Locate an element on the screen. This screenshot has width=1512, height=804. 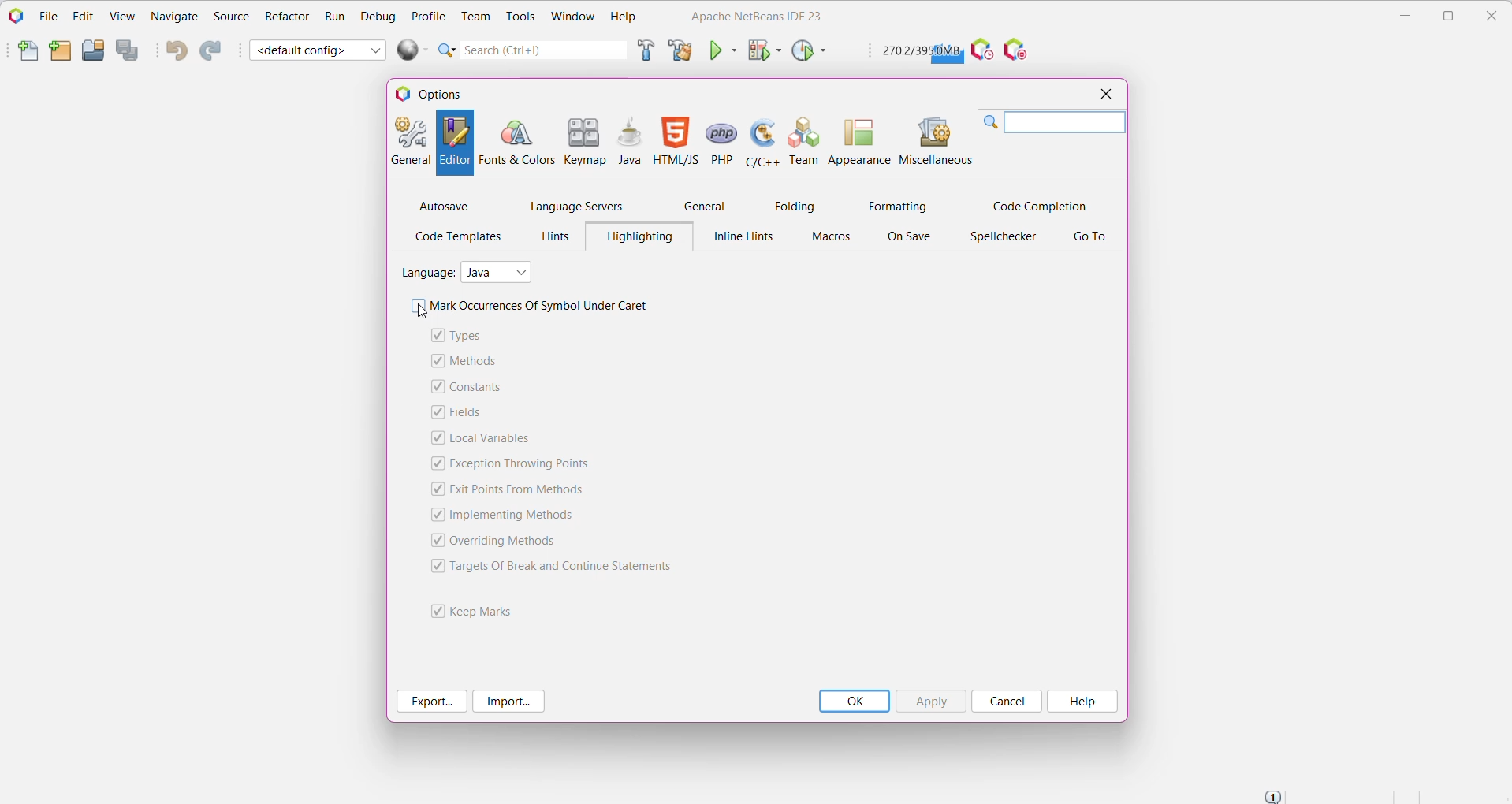
HTML/JS is located at coordinates (675, 142).